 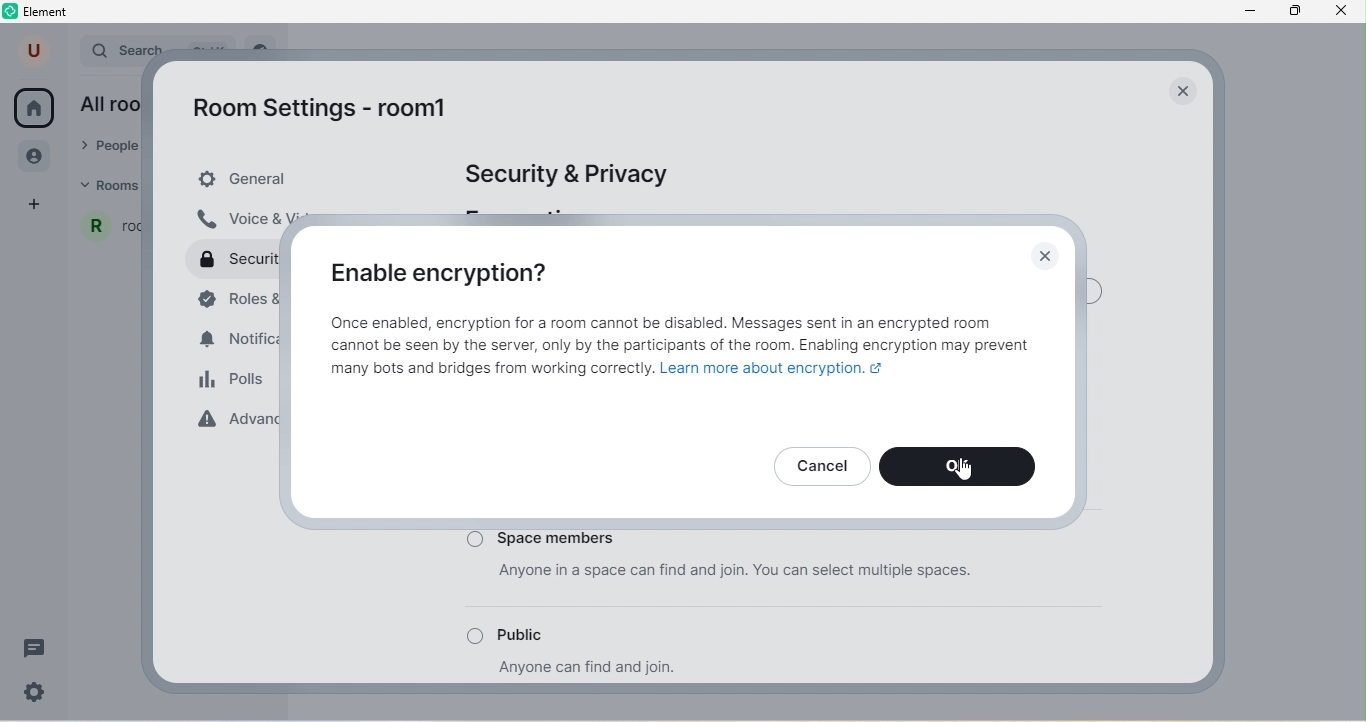 I want to click on public, so click(x=555, y=638).